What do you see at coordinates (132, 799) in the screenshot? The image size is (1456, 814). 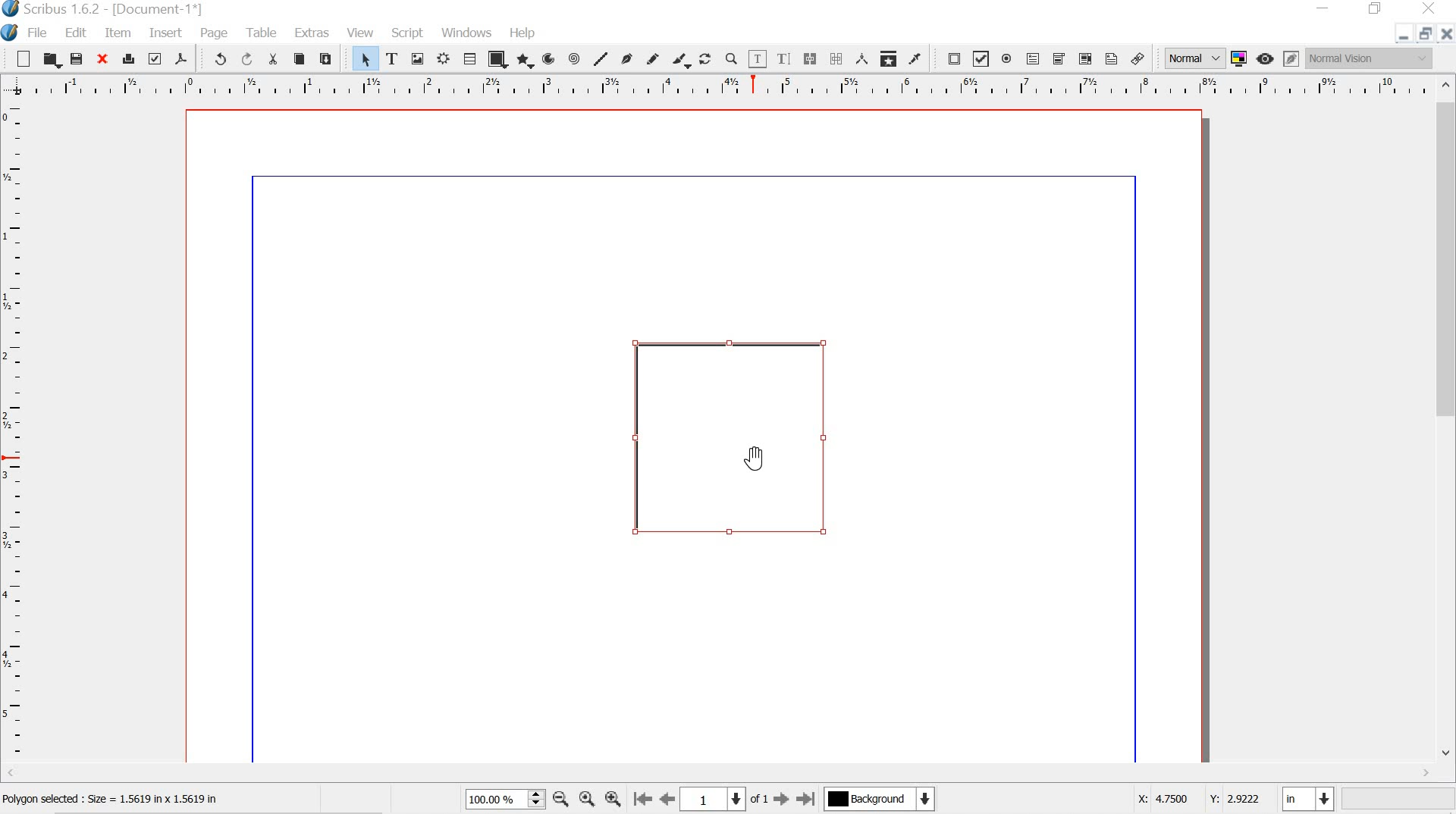 I see `polygon selected : size = 1.5619 in x 5619 in` at bounding box center [132, 799].